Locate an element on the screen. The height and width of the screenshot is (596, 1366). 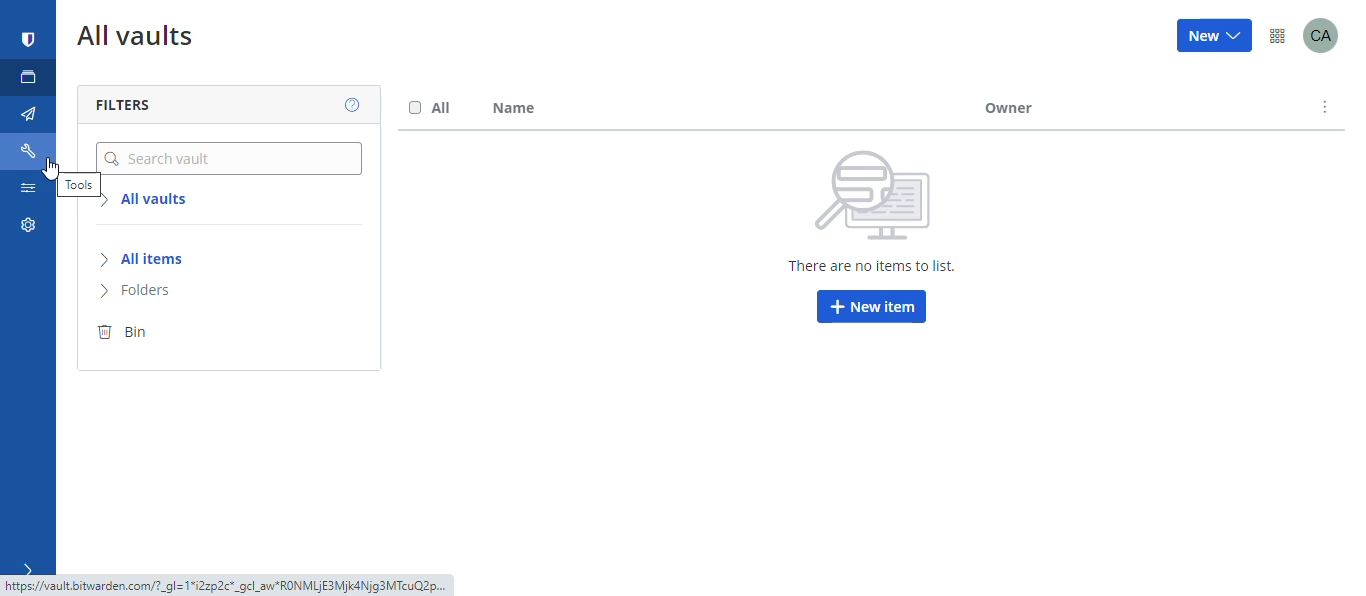
owner is located at coordinates (1014, 109).